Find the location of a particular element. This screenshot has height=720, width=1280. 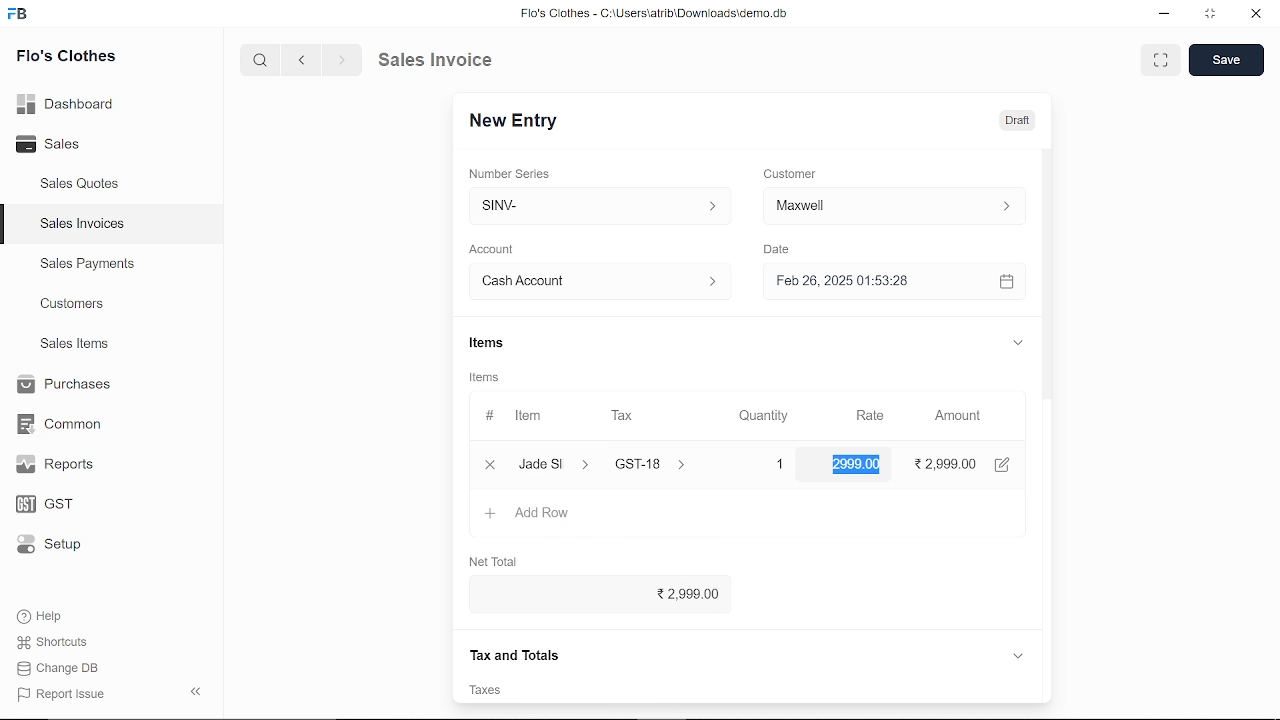

Purchases is located at coordinates (62, 385).